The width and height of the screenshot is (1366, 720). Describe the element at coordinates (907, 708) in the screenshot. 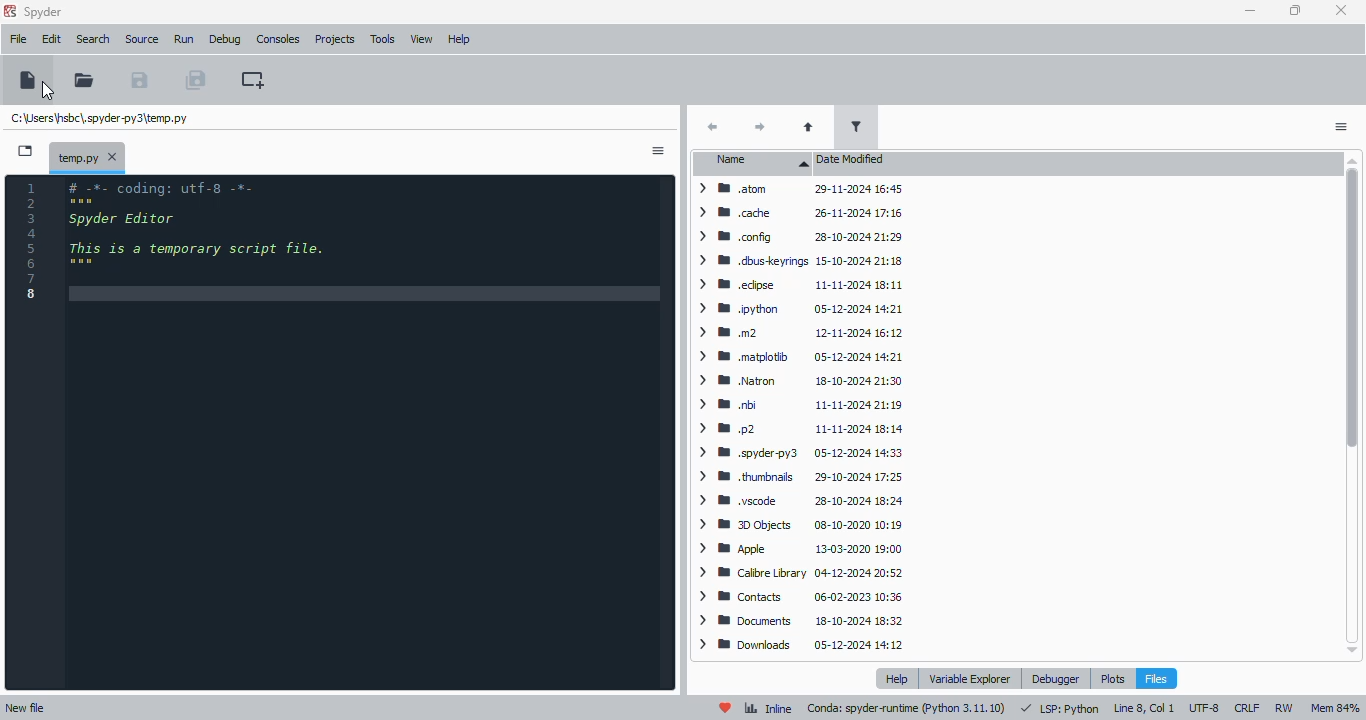

I see `conda: spyder-runtime (python 3. 11. 10)` at that location.